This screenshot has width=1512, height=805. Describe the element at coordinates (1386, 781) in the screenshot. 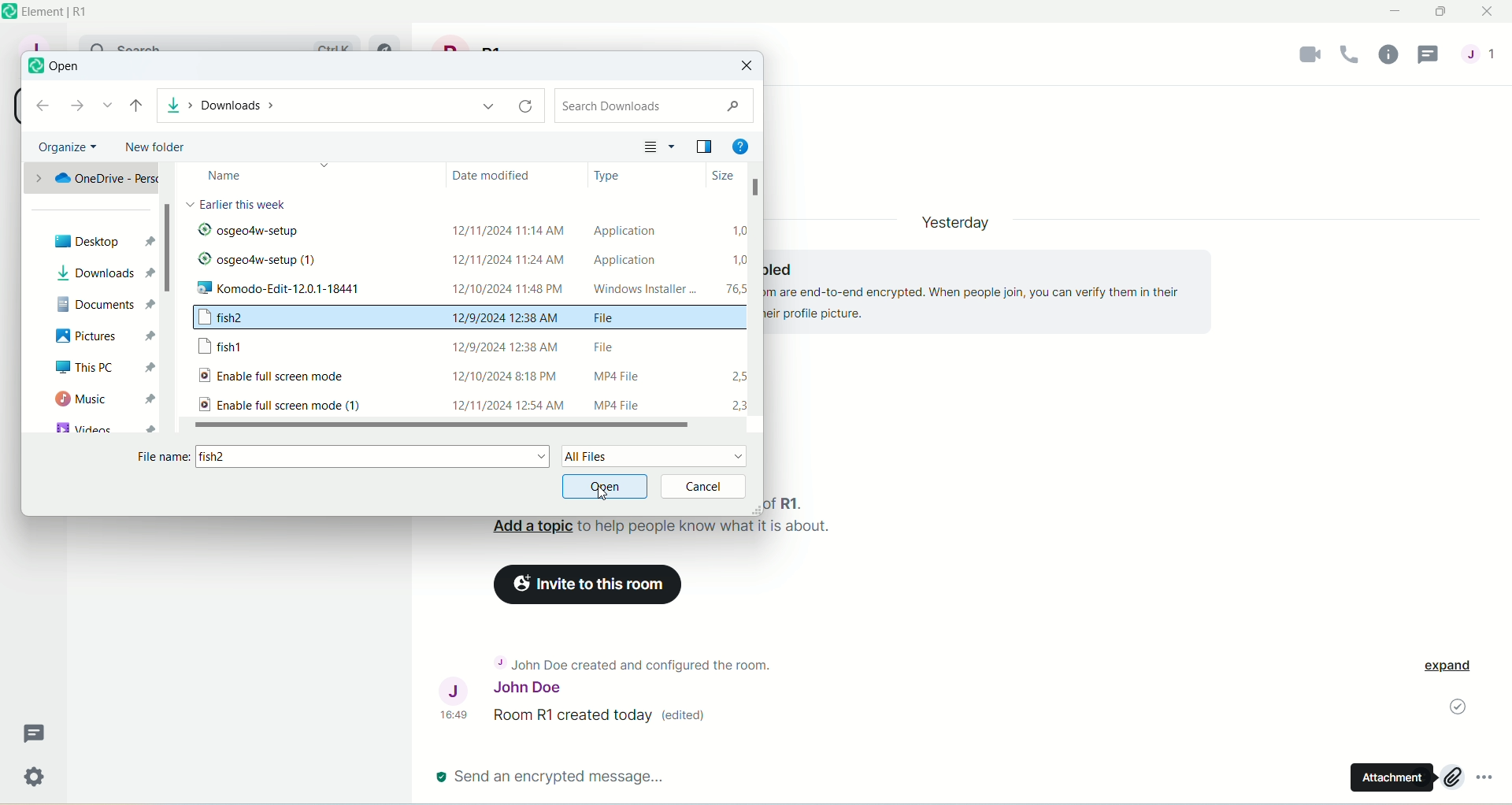

I see `attachment` at that location.